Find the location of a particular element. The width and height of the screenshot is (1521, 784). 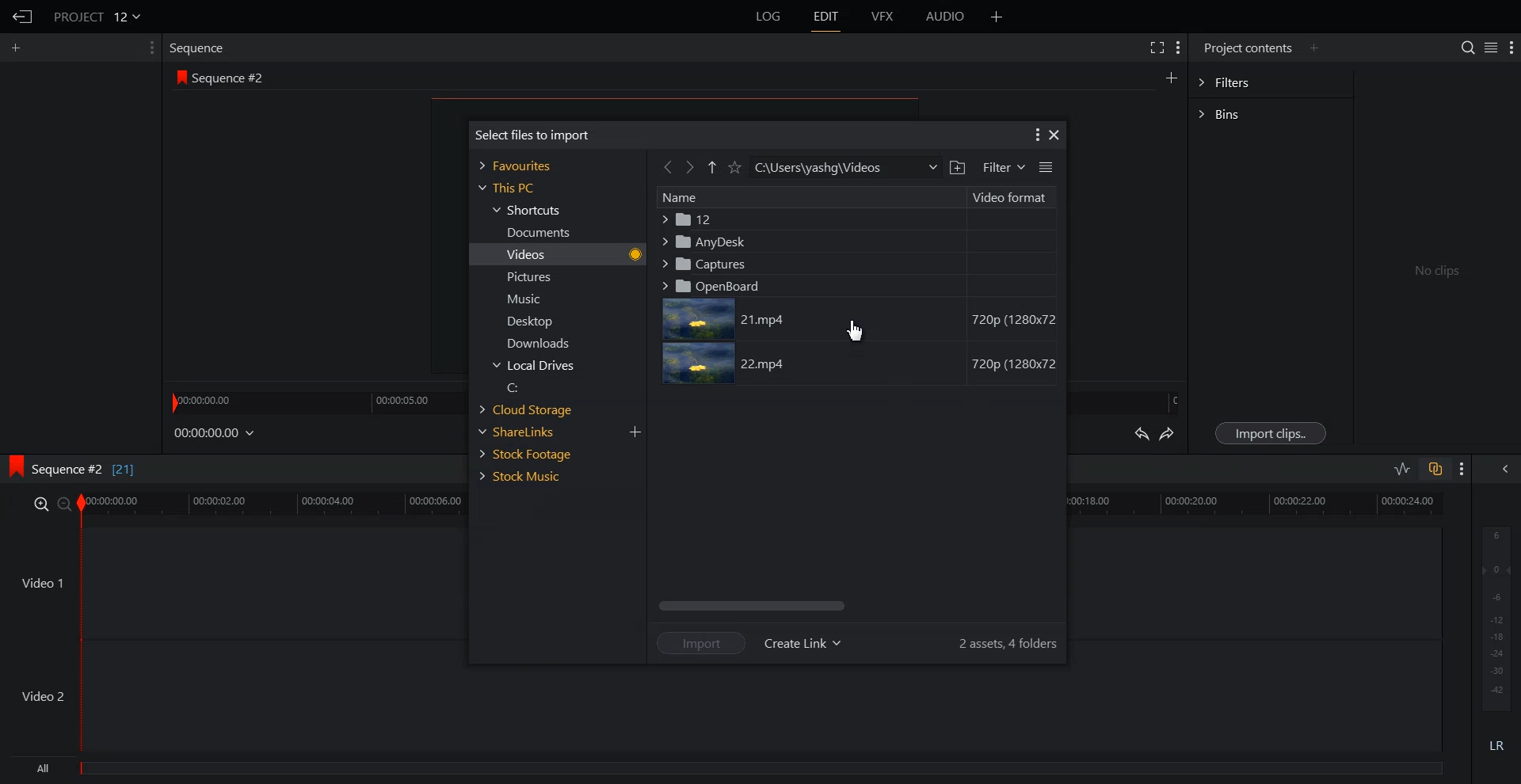

Redo is located at coordinates (1169, 435).